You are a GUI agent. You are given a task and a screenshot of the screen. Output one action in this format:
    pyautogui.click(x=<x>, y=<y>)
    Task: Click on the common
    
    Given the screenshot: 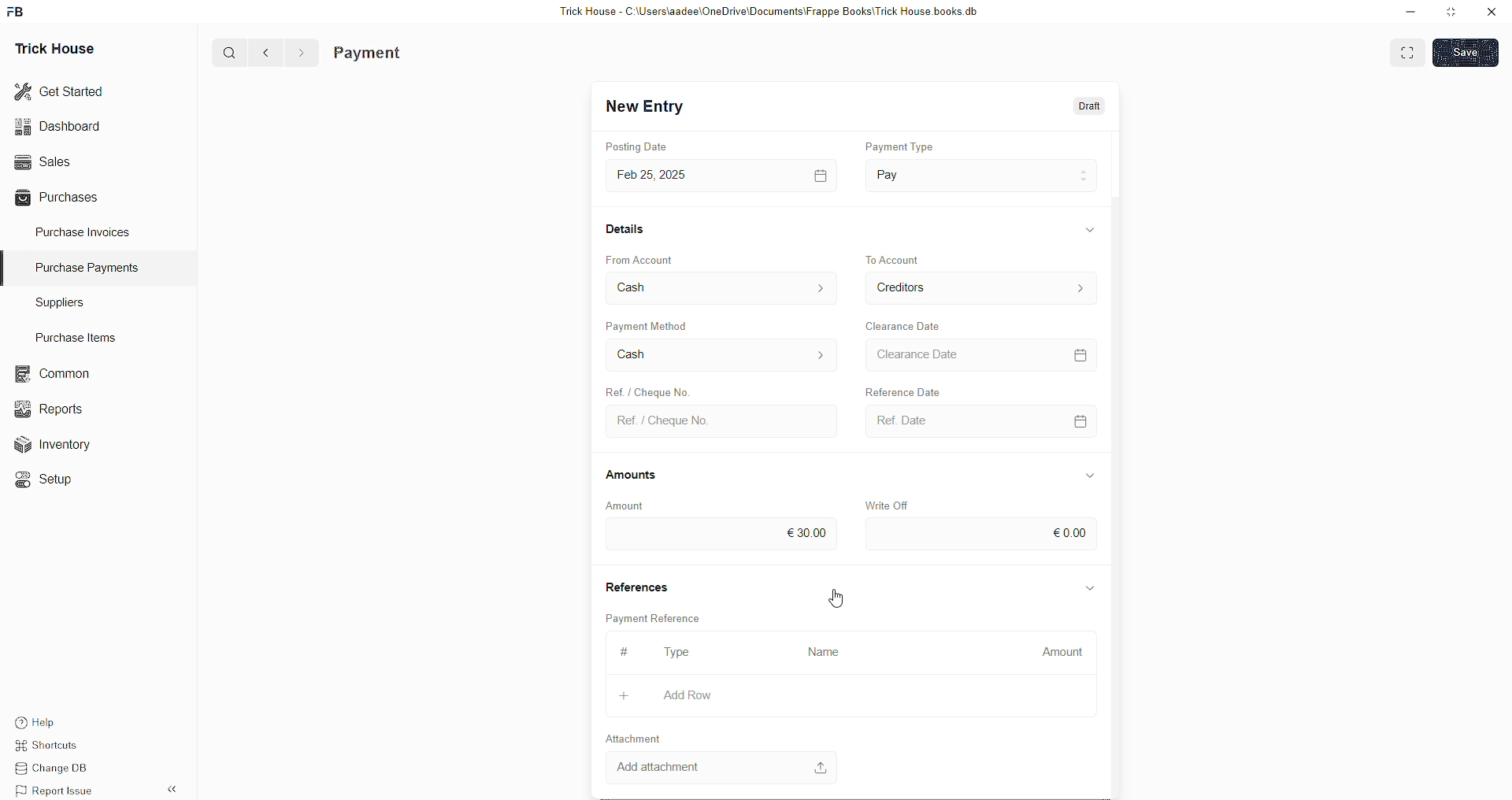 What is the action you would take?
    pyautogui.click(x=55, y=374)
    